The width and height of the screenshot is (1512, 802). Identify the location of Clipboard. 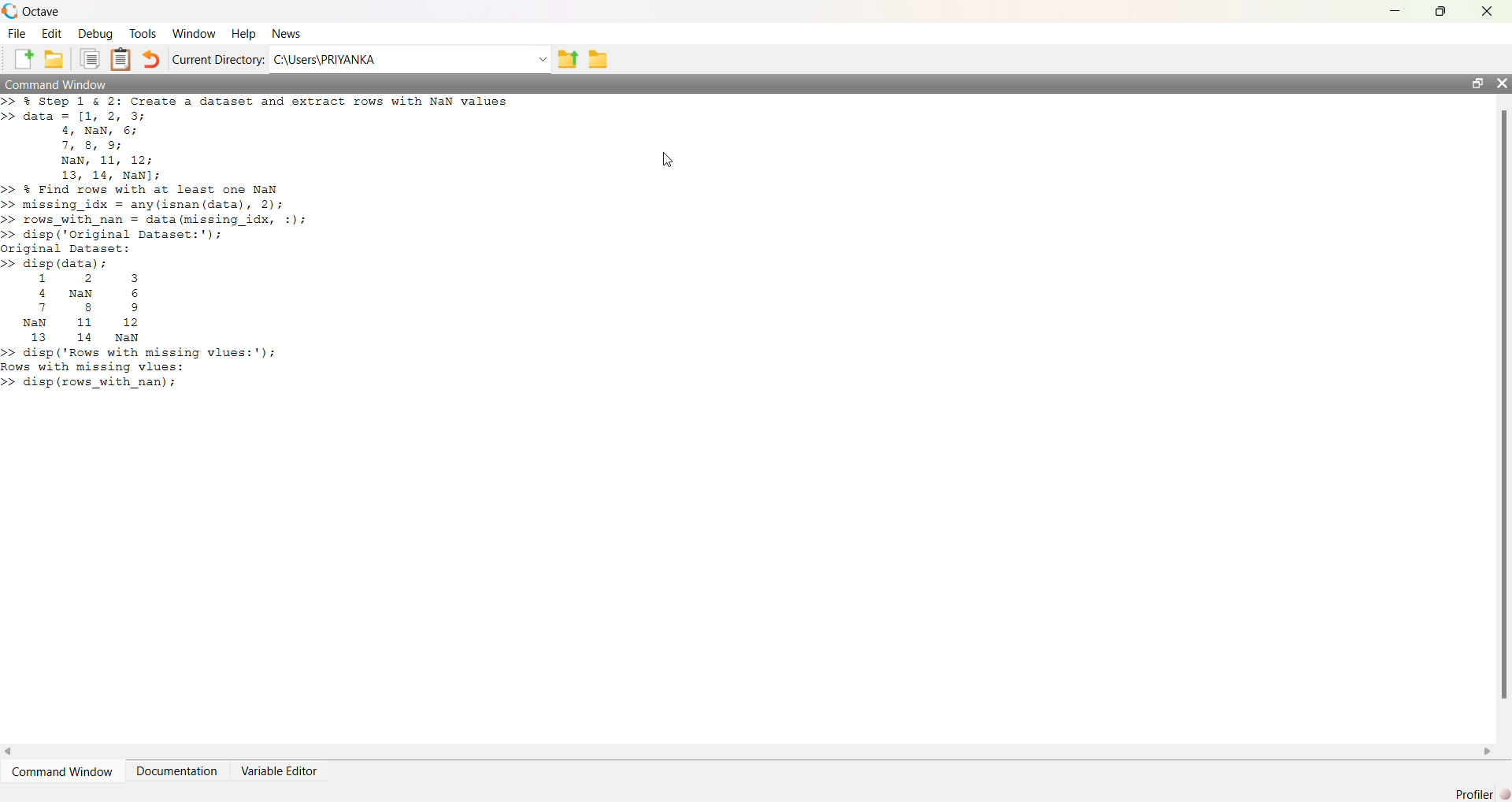
(120, 59).